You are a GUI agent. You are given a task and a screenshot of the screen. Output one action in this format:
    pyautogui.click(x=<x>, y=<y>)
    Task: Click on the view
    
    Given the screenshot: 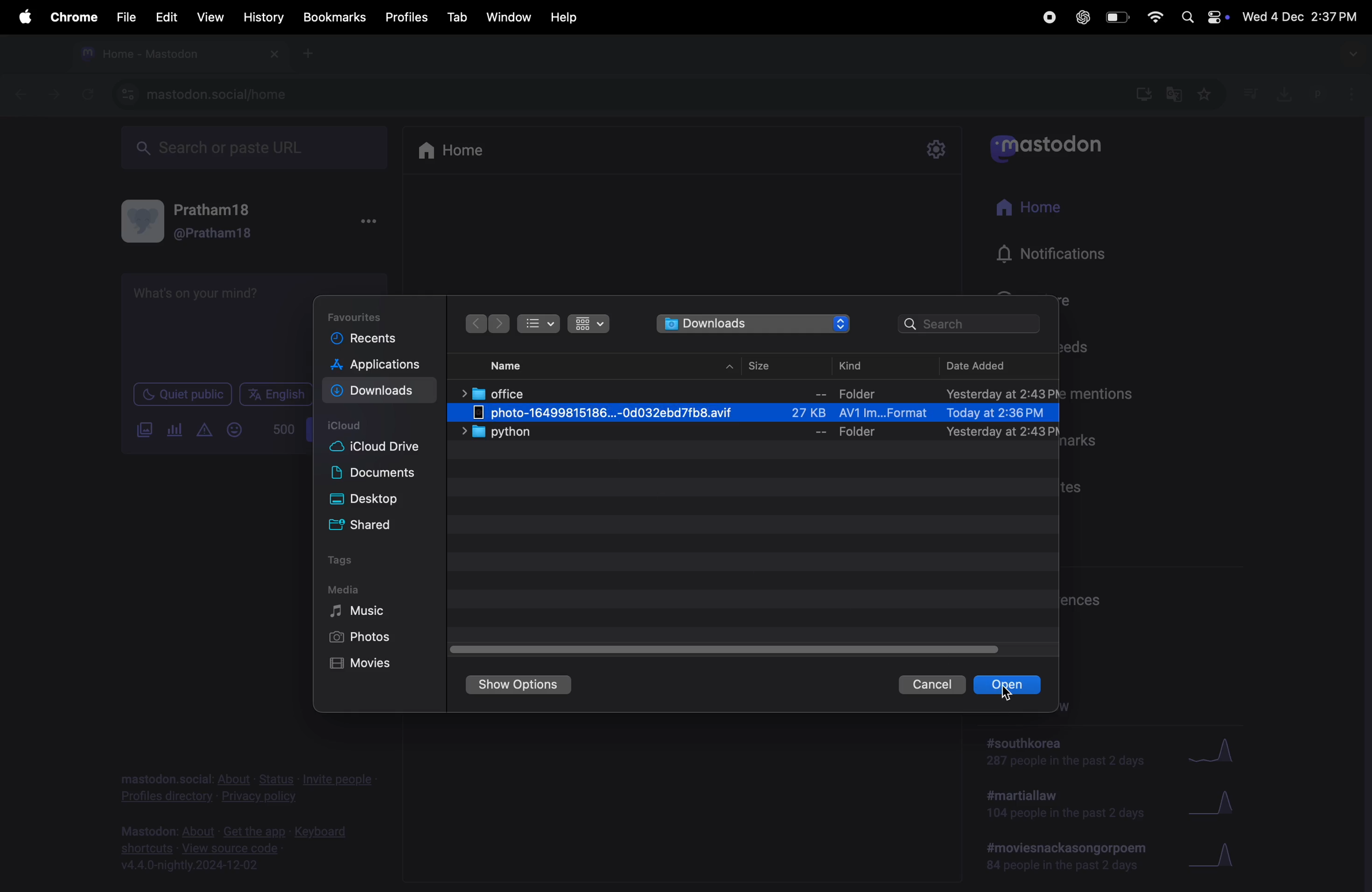 What is the action you would take?
    pyautogui.click(x=209, y=17)
    